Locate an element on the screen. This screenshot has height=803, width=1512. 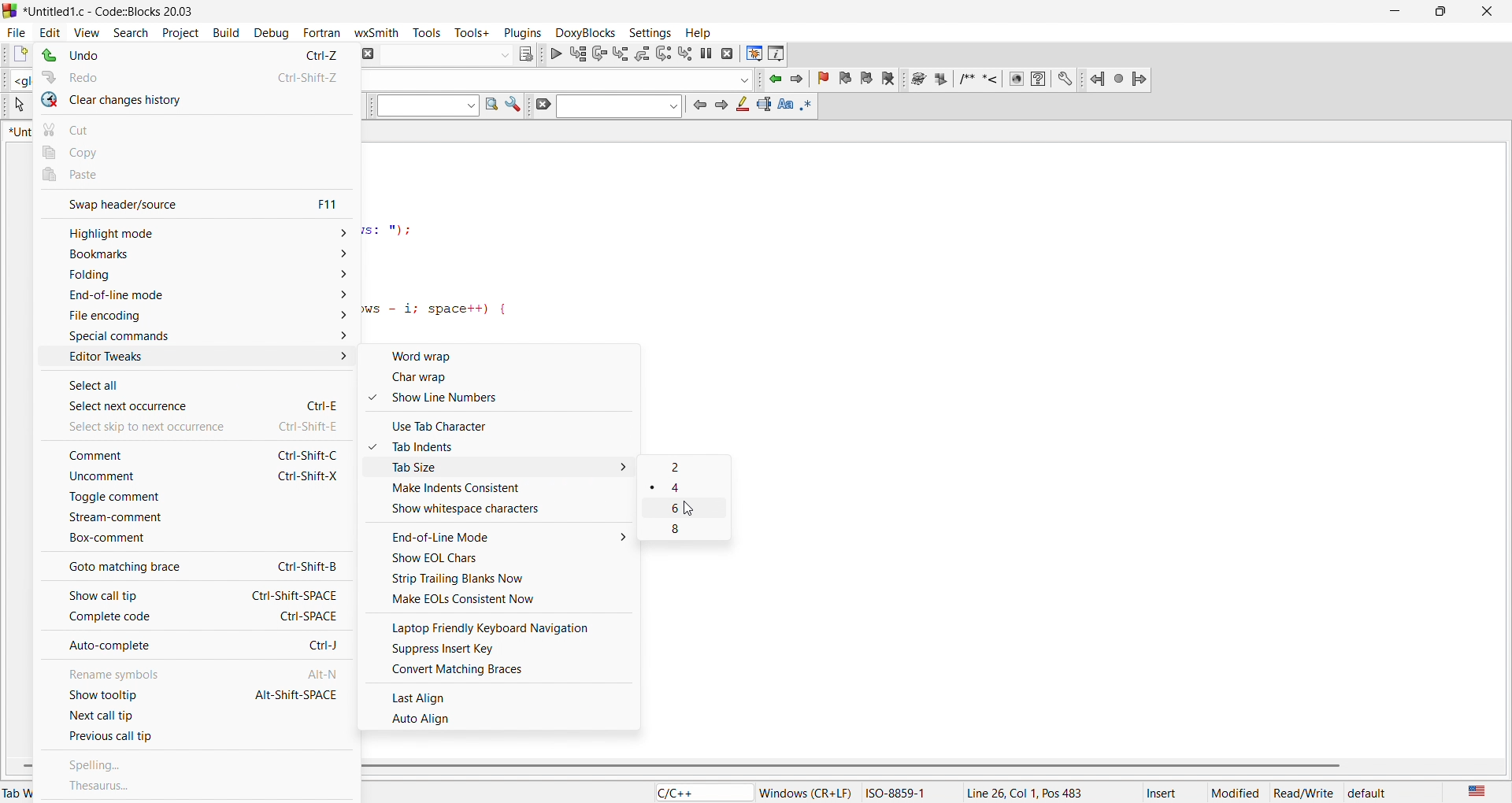
folding is located at coordinates (195, 279).